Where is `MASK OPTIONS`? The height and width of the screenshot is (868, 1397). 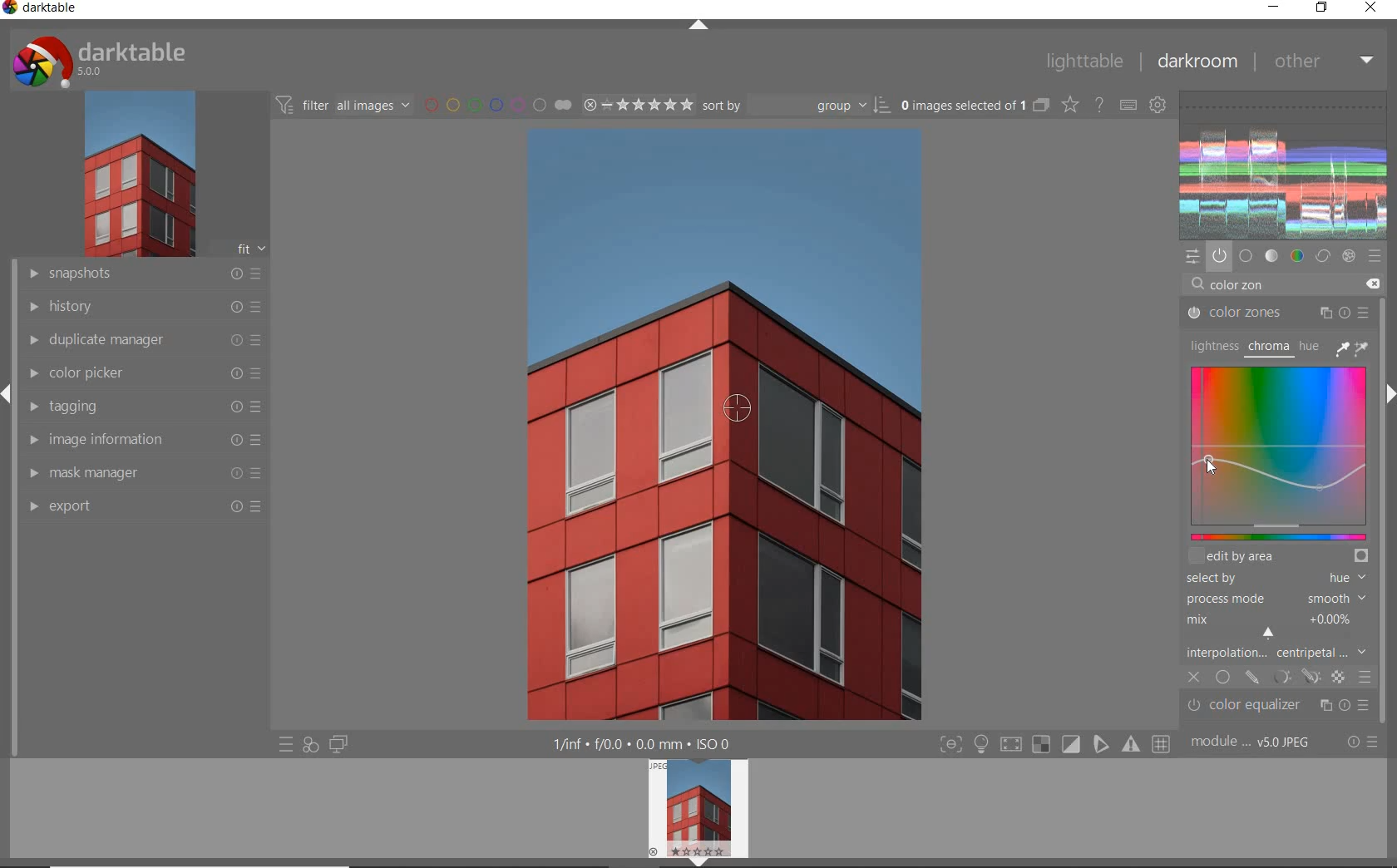 MASK OPTIONS is located at coordinates (1294, 677).